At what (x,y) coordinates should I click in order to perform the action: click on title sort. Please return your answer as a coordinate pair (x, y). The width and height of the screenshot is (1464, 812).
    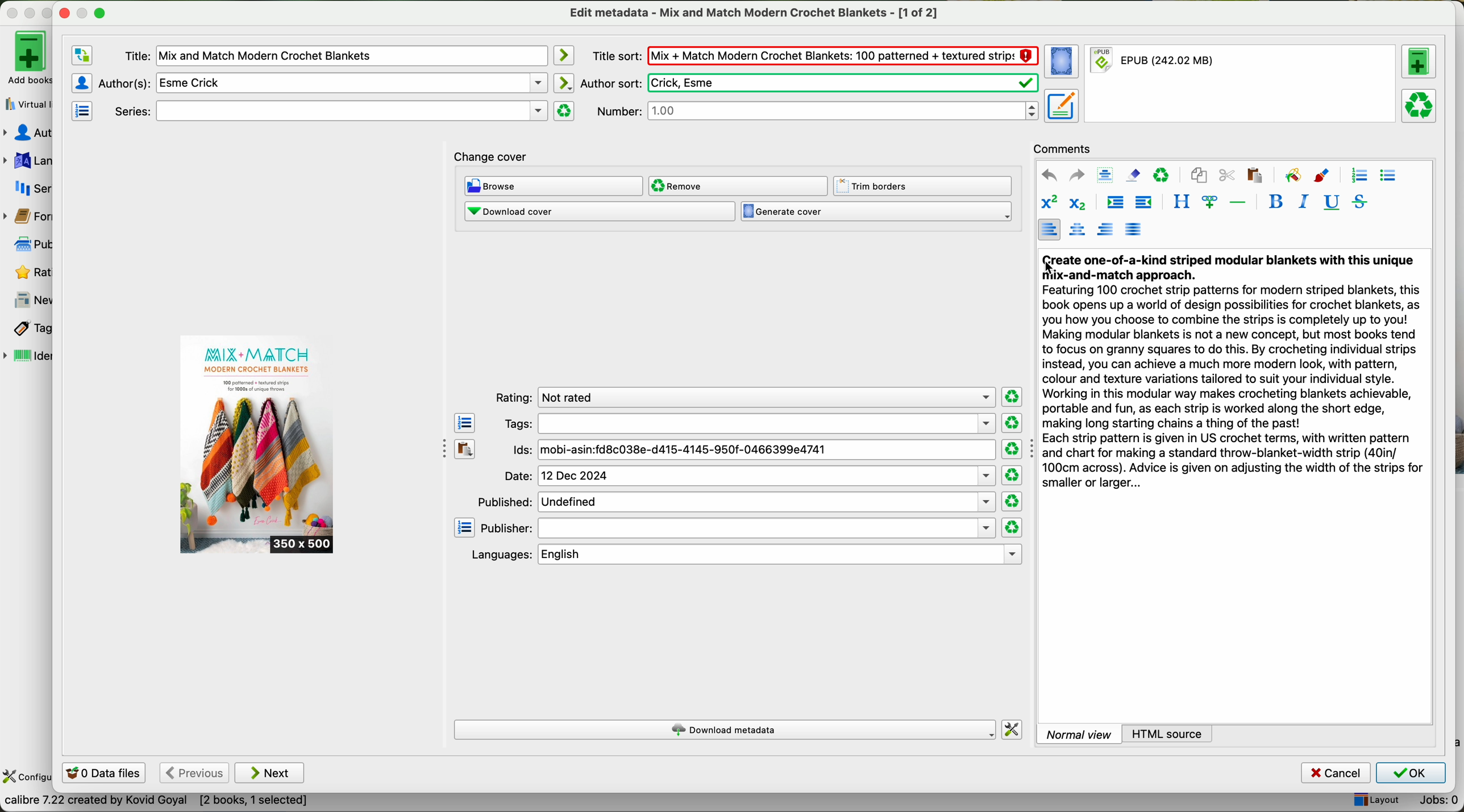
    Looking at the image, I should click on (814, 55).